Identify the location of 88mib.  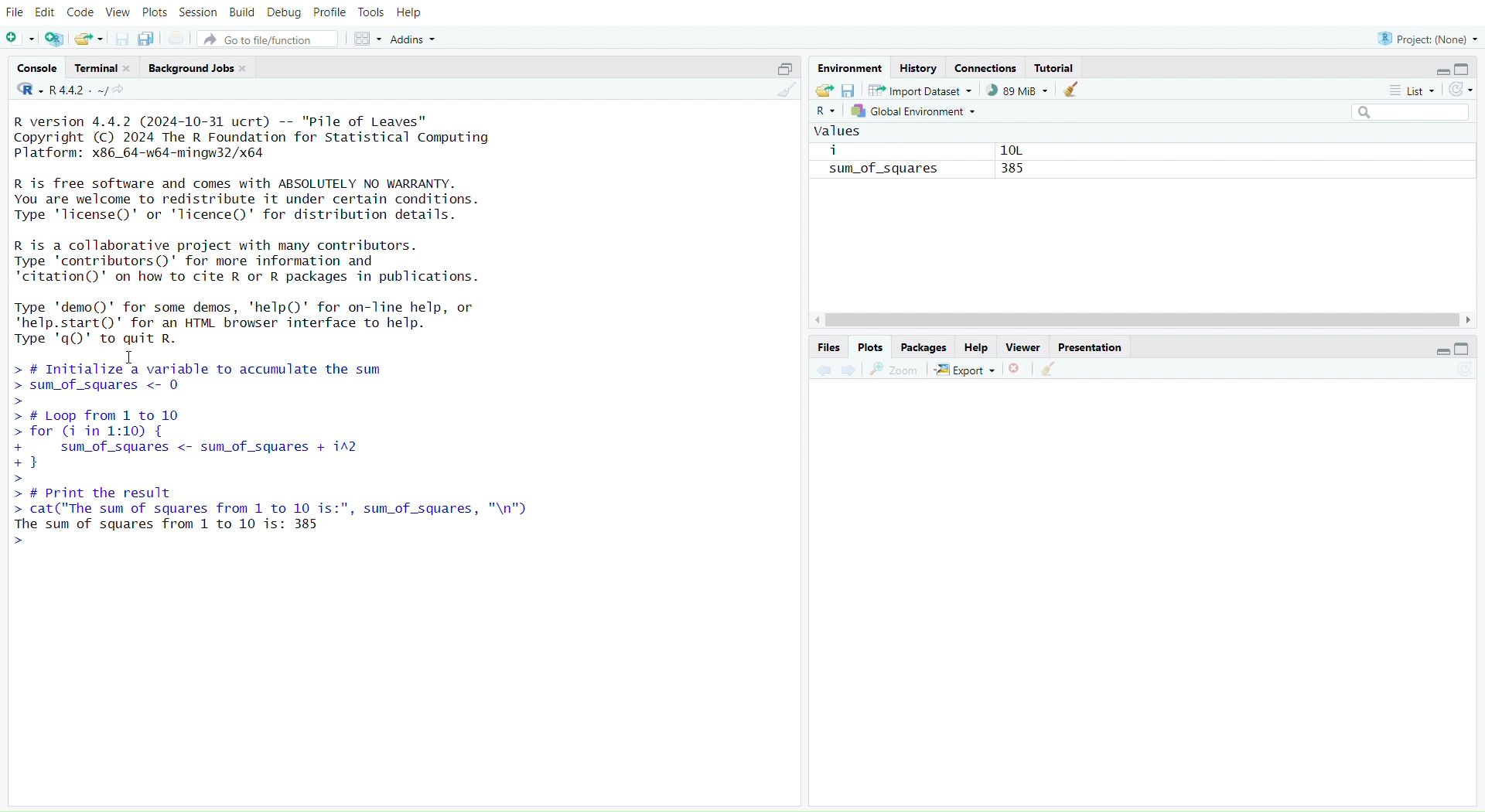
(1019, 90).